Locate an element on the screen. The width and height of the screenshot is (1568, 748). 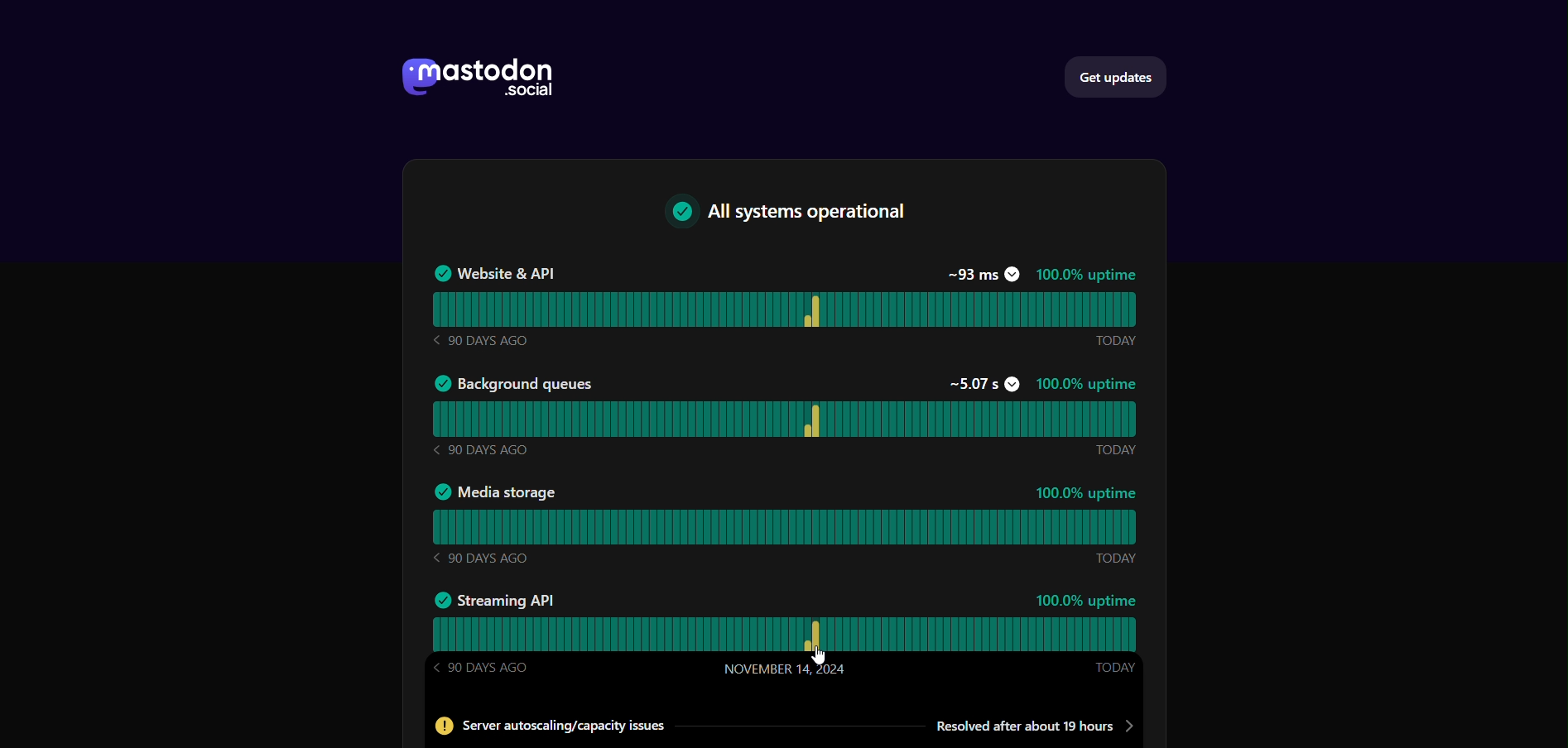
background queue status is located at coordinates (785, 419).